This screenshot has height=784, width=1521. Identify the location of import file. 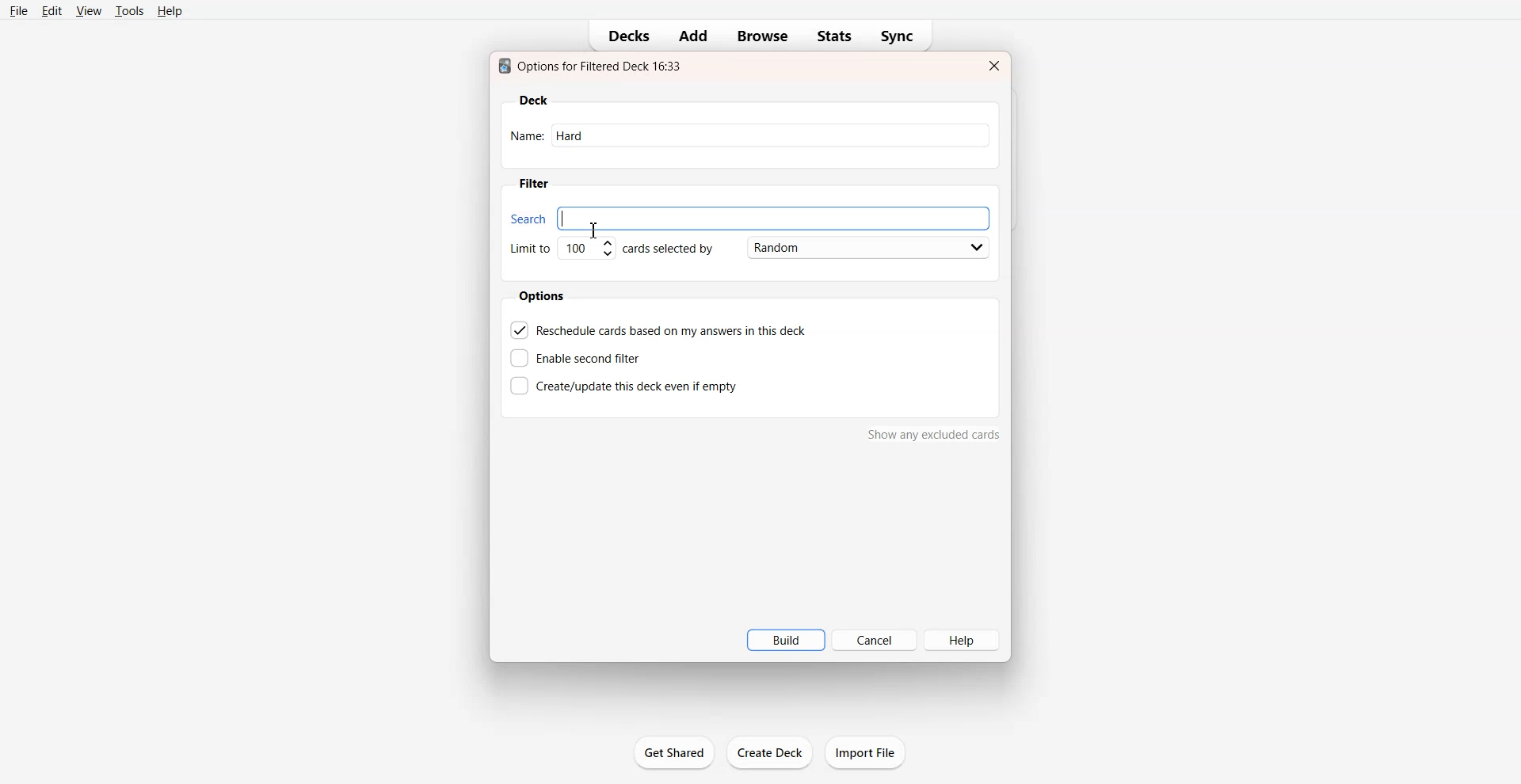
(871, 752).